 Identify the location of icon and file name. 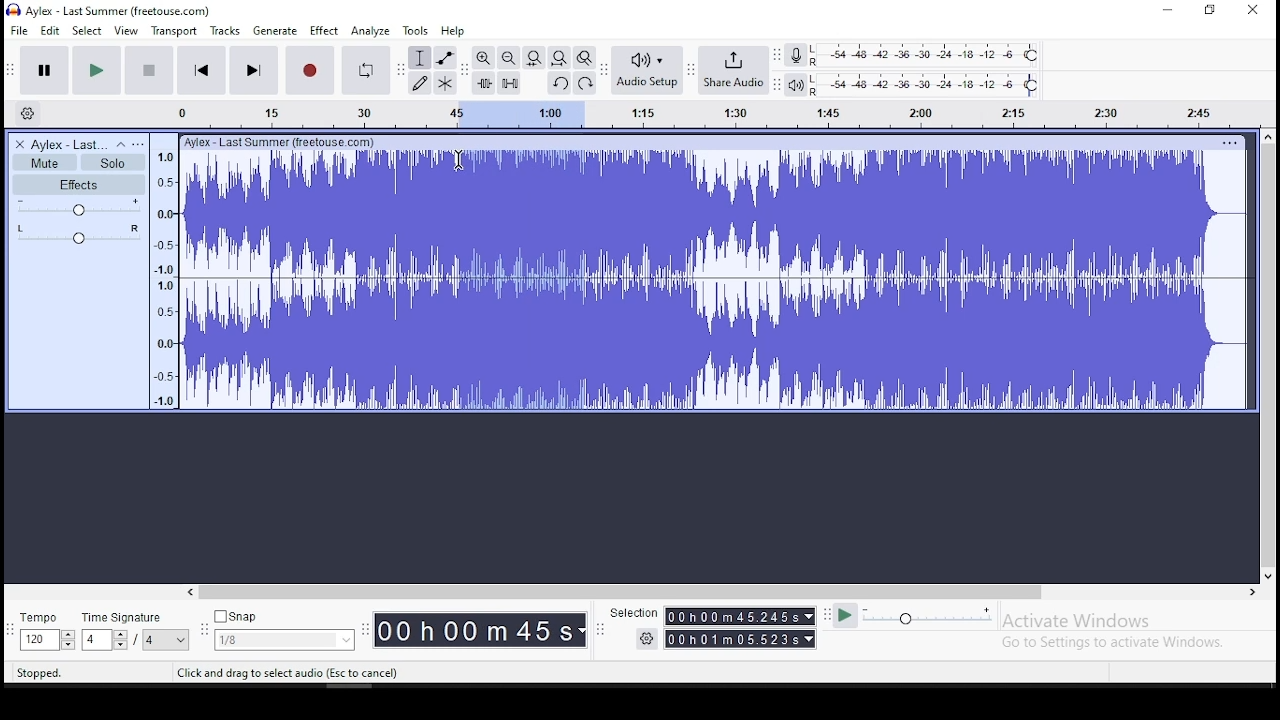
(110, 10).